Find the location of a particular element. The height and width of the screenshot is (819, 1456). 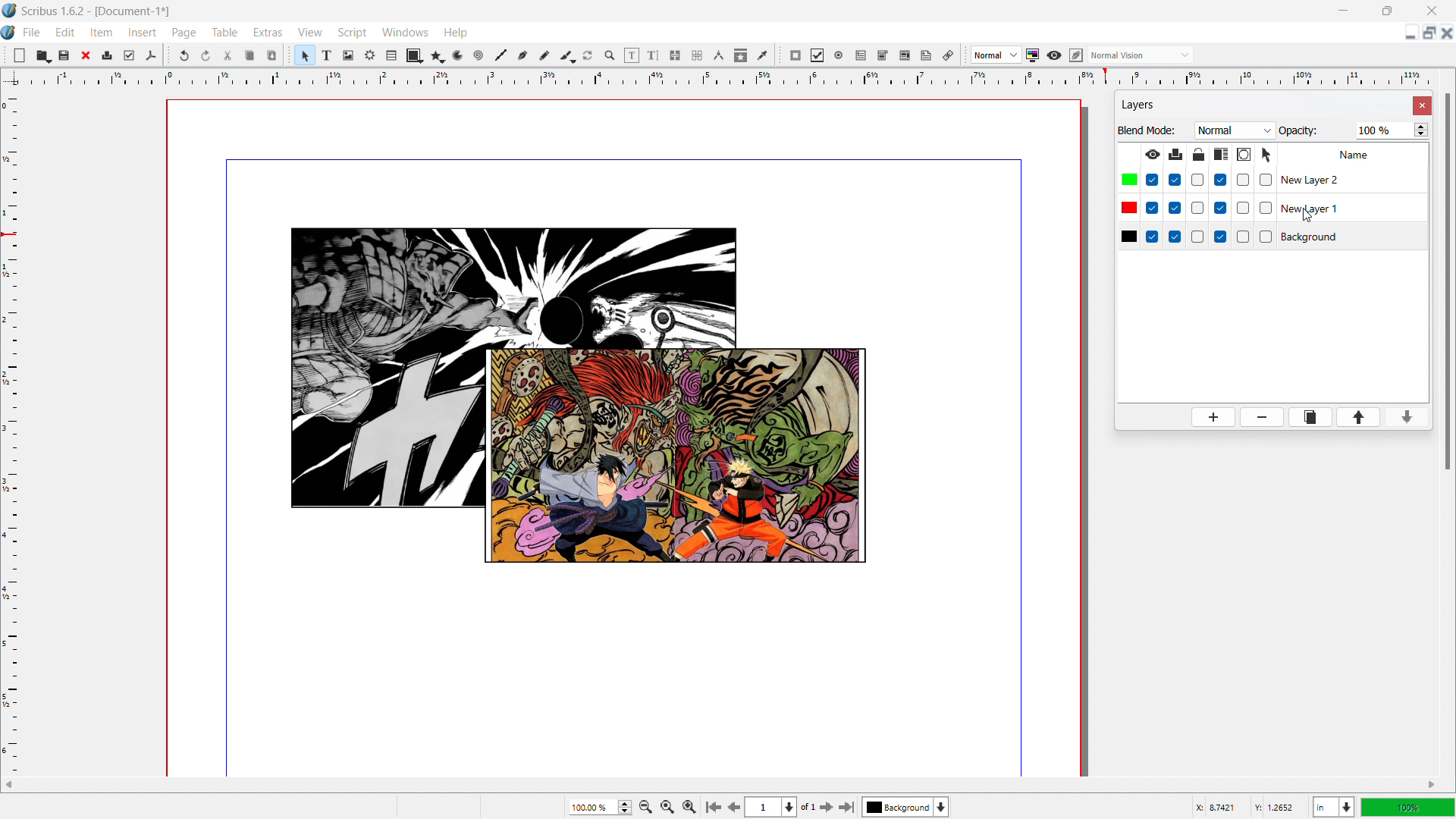

zoom out by the stepping factor selected in settings is located at coordinates (645, 806).